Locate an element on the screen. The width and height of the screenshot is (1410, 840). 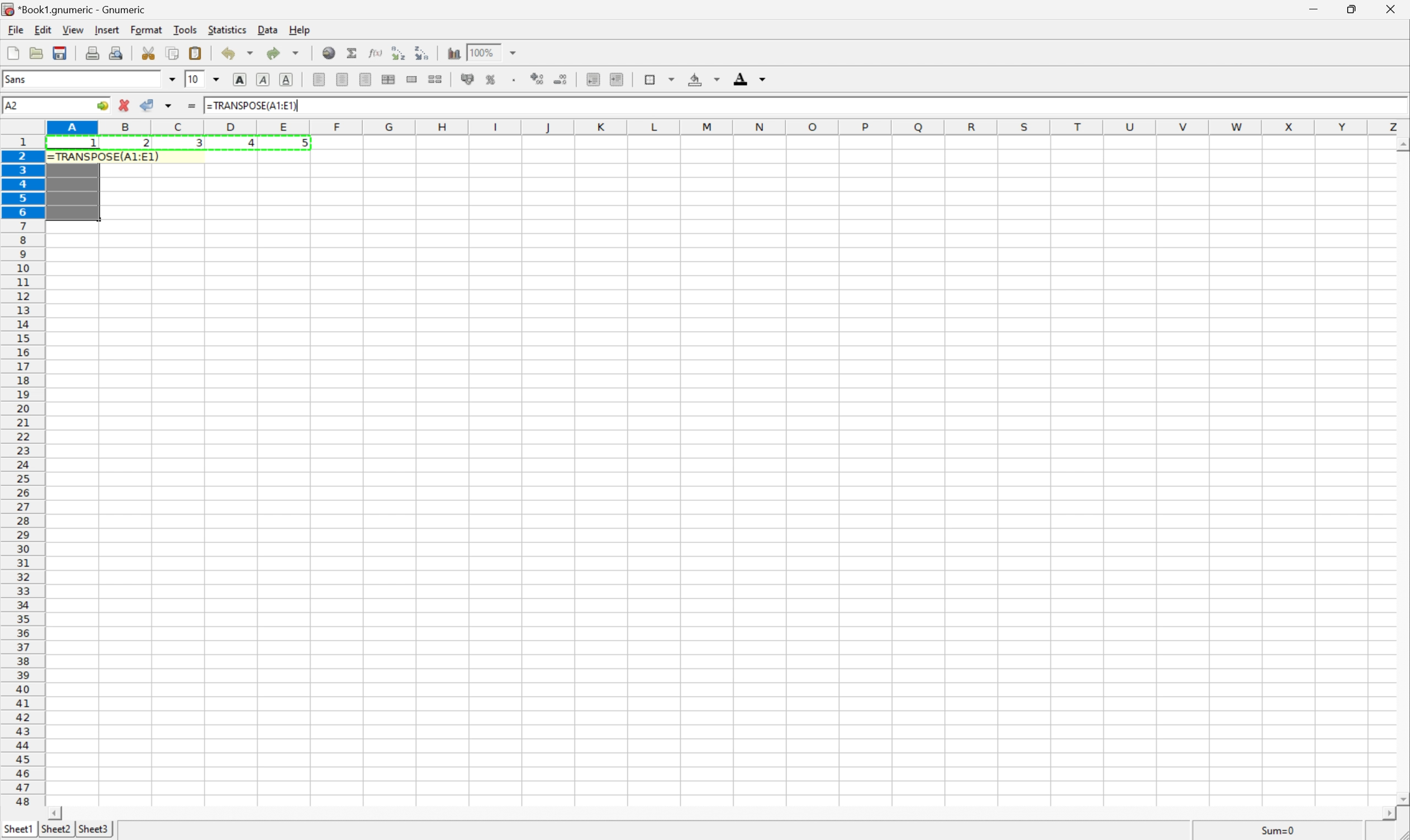
Sort the selected region in descending order based on the first column selected is located at coordinates (422, 53).